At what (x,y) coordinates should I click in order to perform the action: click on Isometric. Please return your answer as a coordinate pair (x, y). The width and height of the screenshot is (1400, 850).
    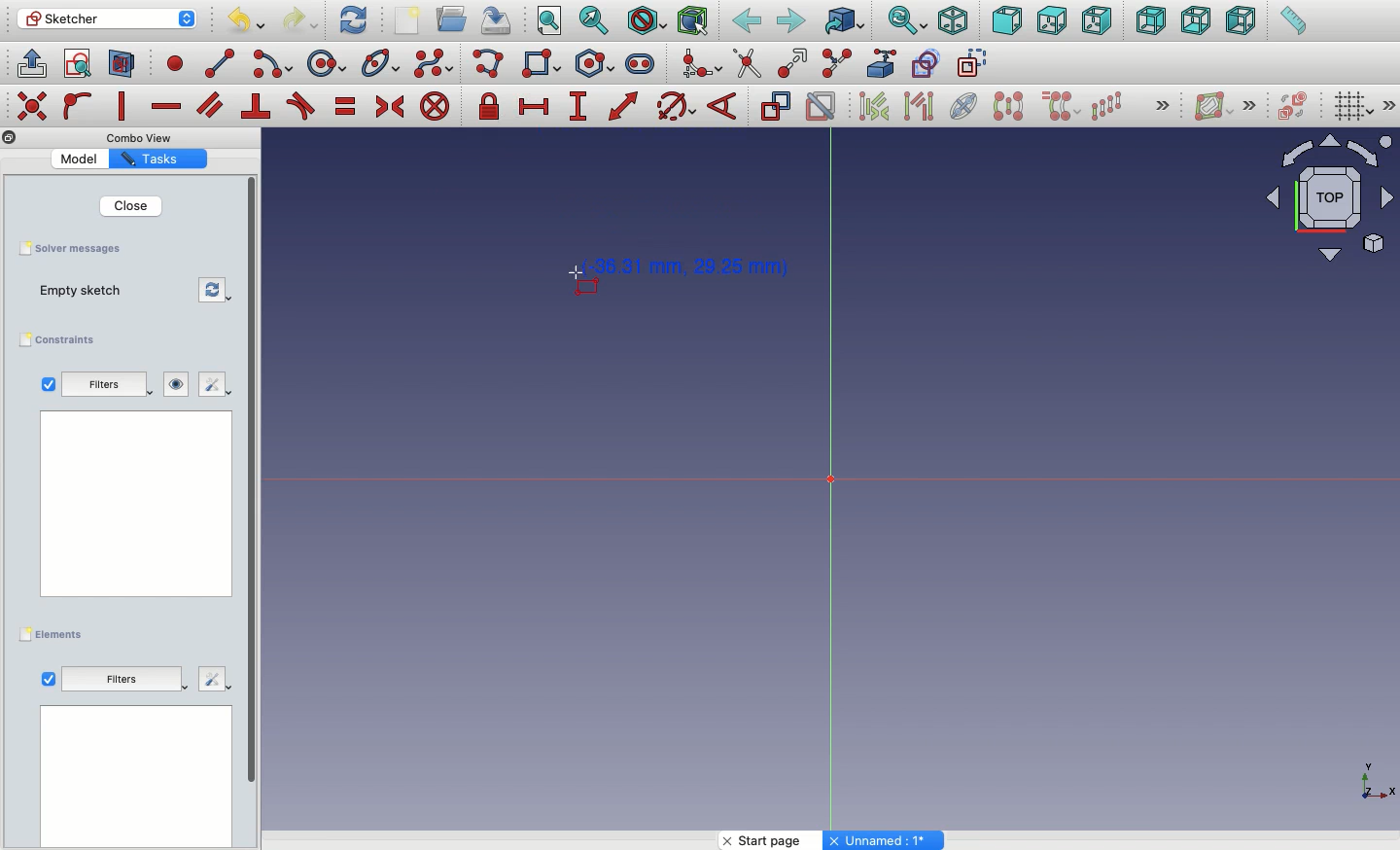
    Looking at the image, I should click on (952, 22).